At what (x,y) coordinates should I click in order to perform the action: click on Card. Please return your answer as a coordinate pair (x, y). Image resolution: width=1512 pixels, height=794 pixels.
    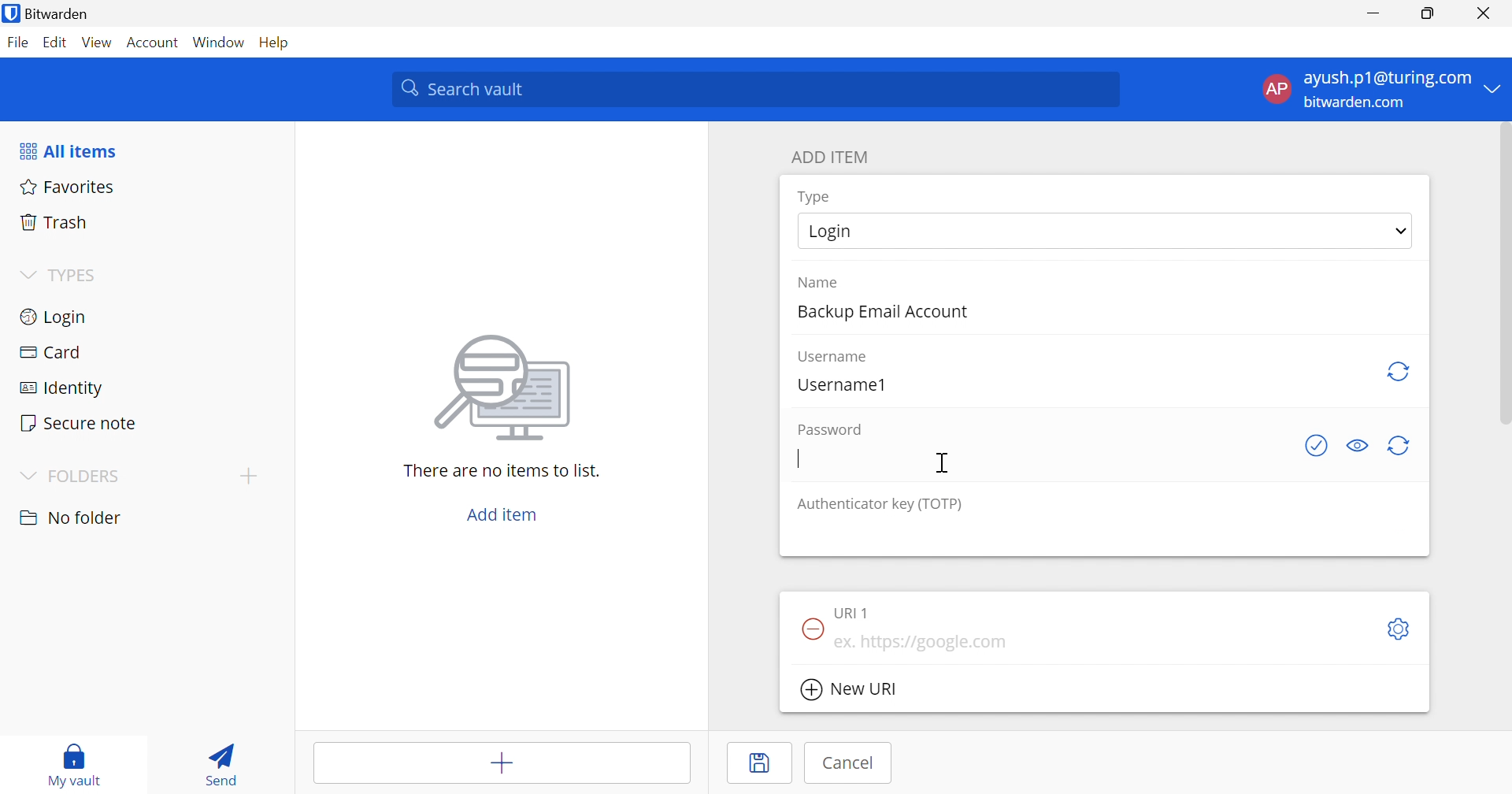
    Looking at the image, I should click on (50, 354).